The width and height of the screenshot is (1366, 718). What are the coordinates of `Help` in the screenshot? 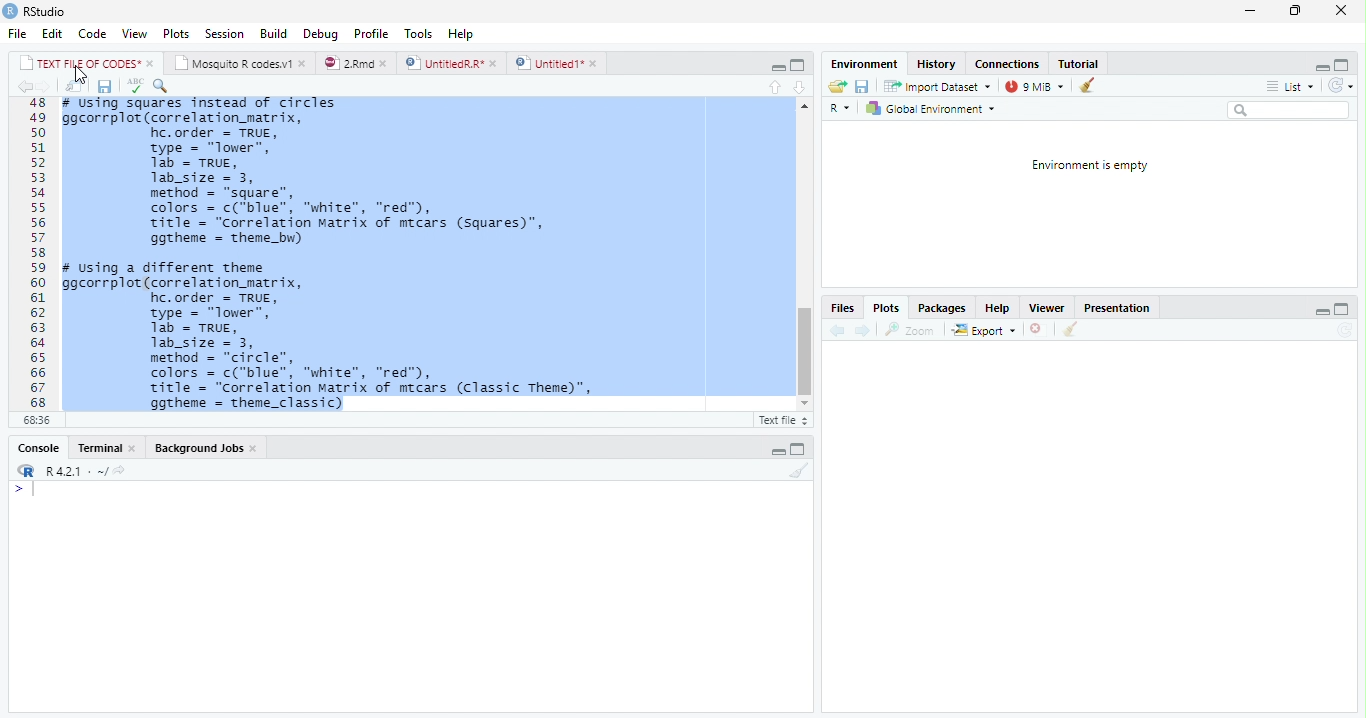 It's located at (1000, 308).